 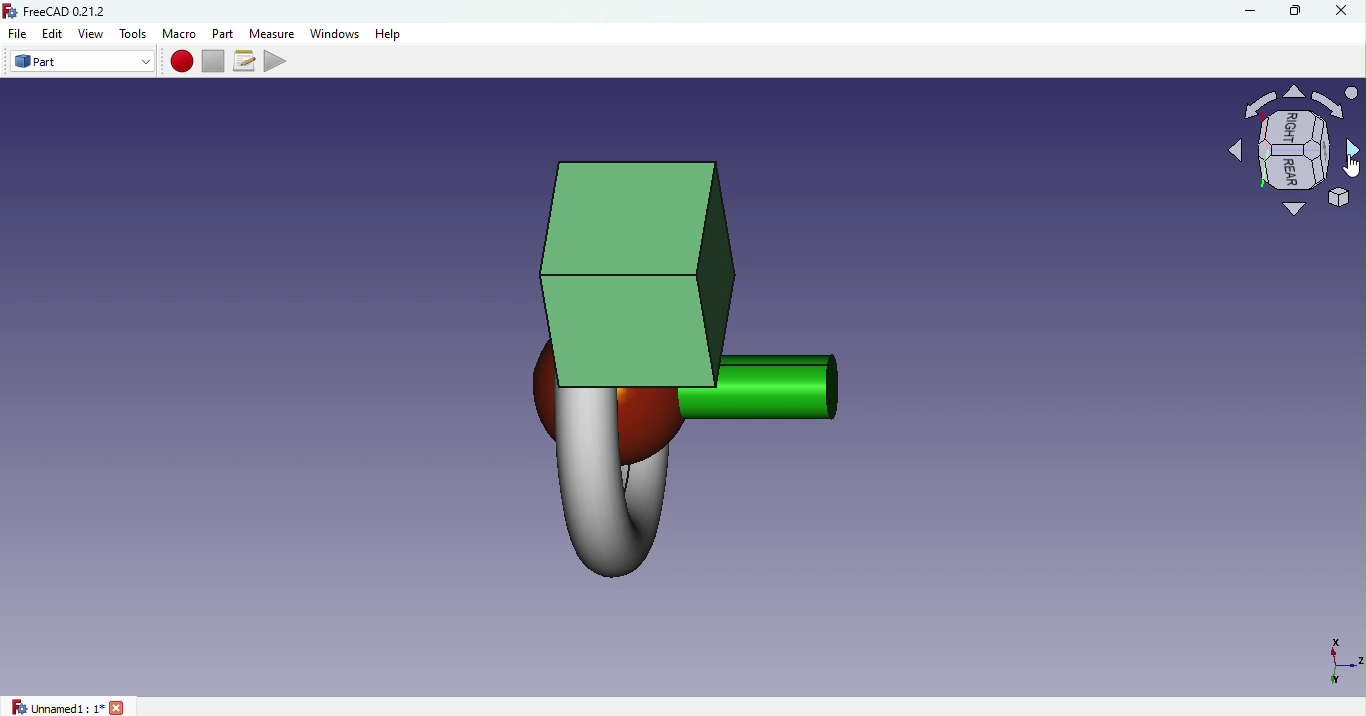 I want to click on Minimize, so click(x=1251, y=11).